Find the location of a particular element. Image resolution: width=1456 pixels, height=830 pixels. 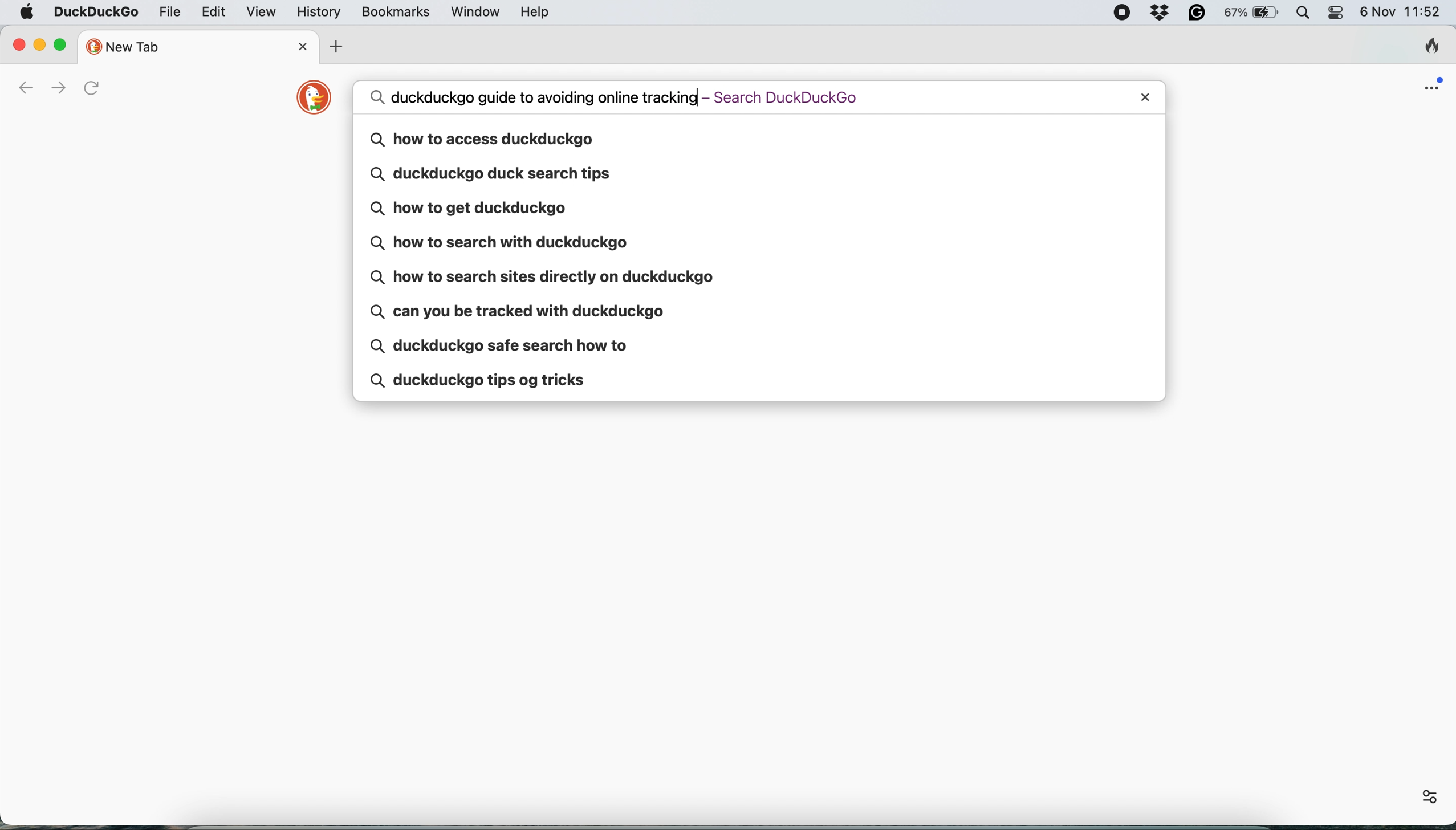

history is located at coordinates (317, 12).